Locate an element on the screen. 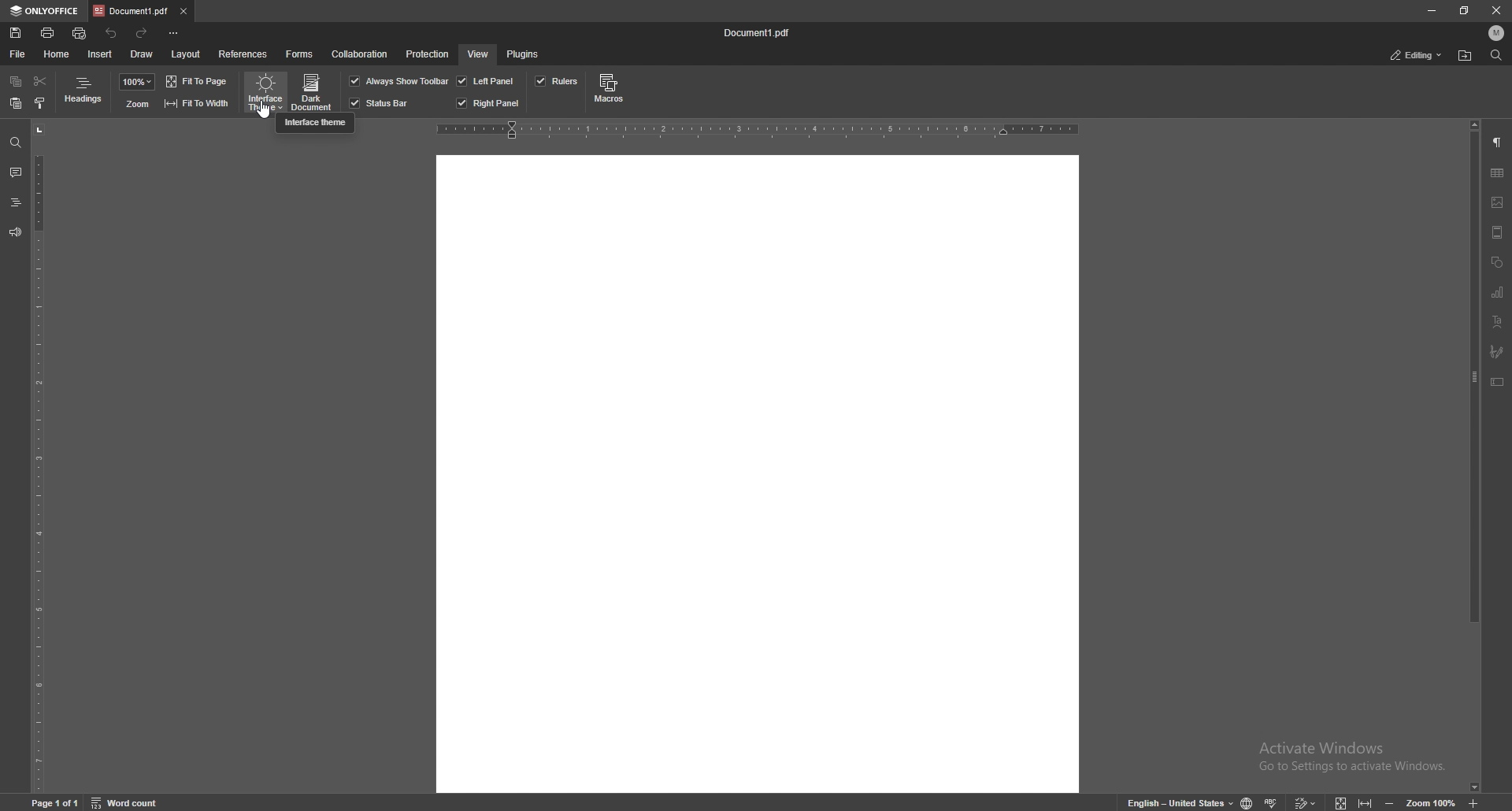  fit to page is located at coordinates (198, 81).